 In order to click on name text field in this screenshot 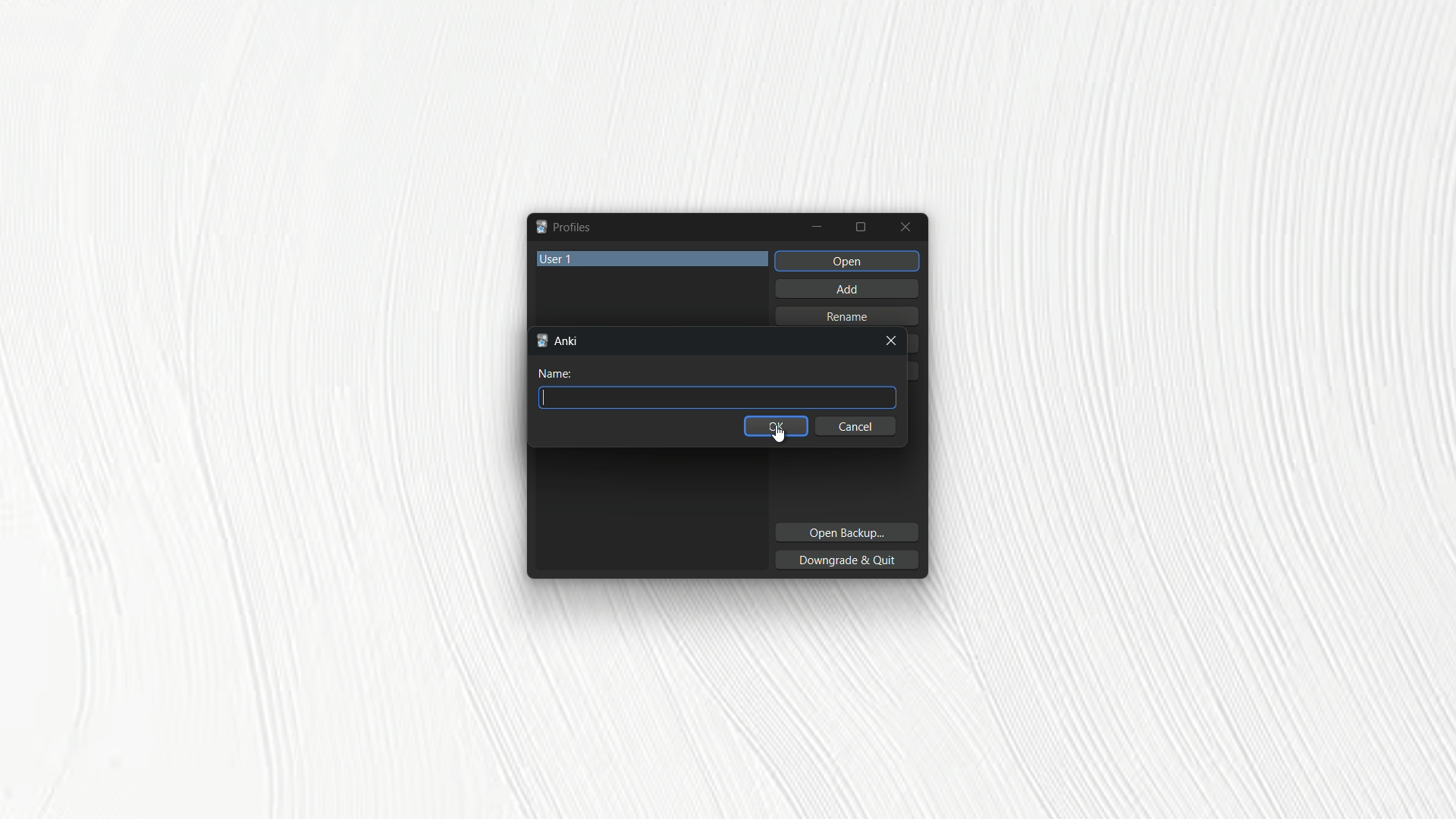, I will do `click(718, 397)`.